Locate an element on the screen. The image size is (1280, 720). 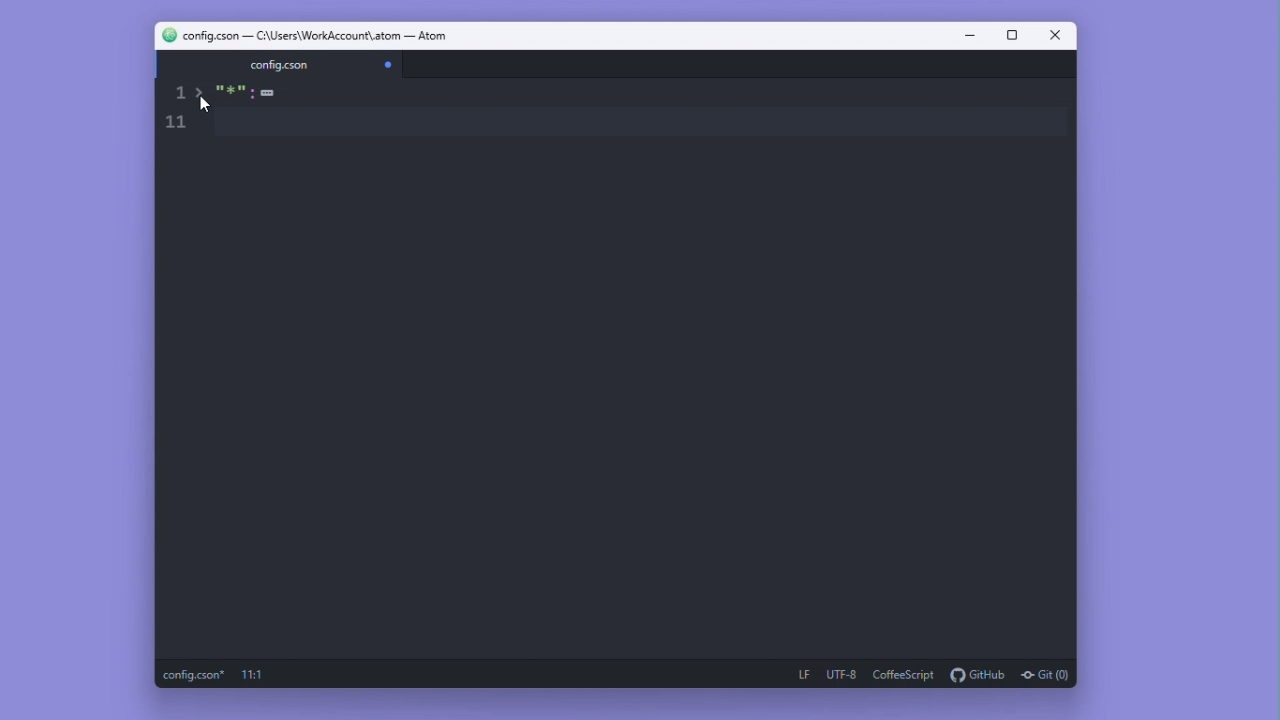
LF is located at coordinates (804, 672).